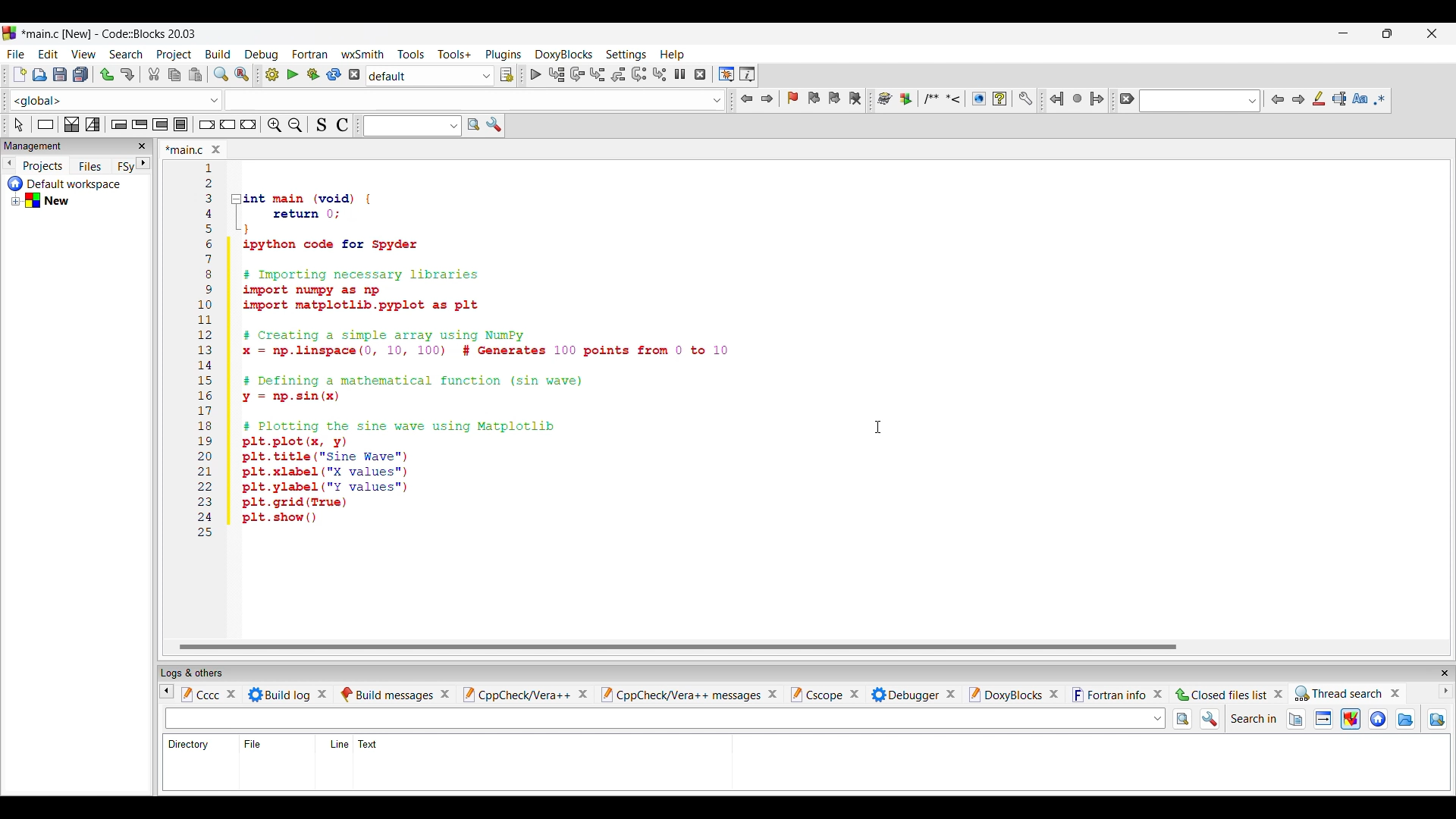  What do you see at coordinates (1188, 721) in the screenshot?
I see `run search` at bounding box center [1188, 721].